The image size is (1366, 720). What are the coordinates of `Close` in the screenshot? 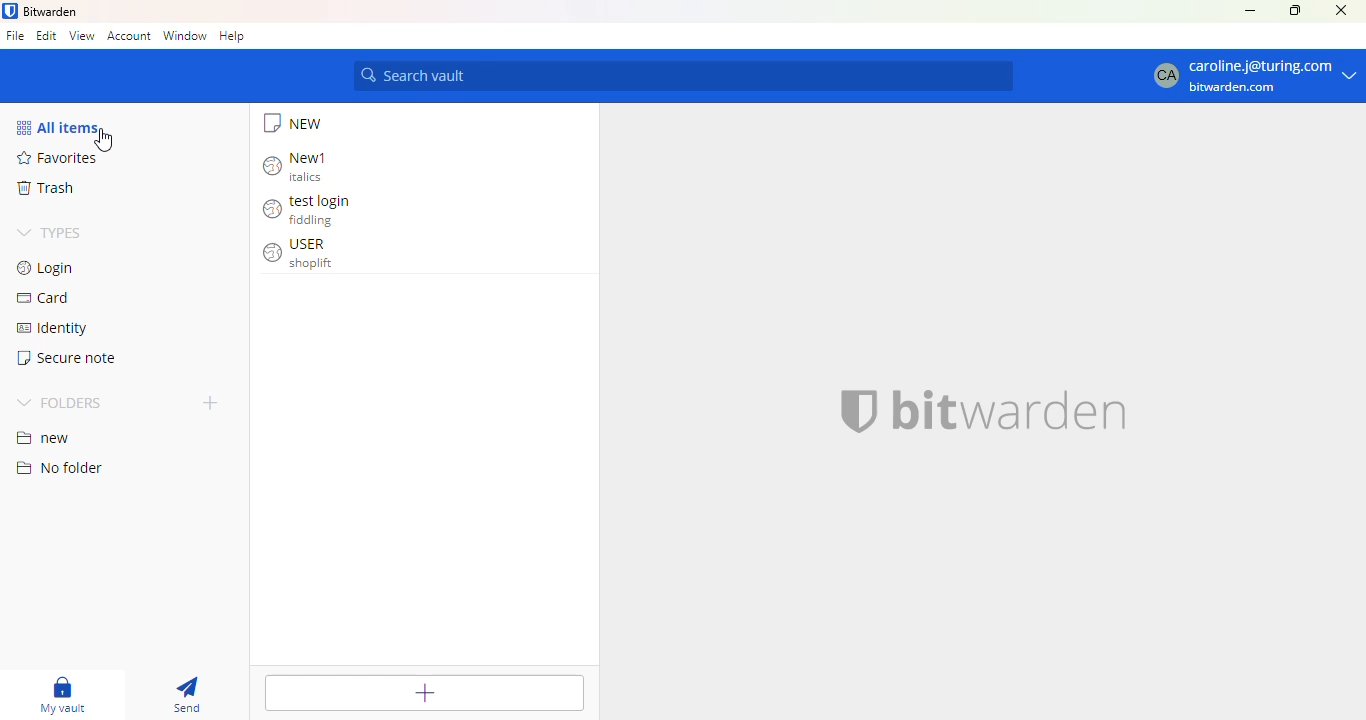 It's located at (1343, 12).